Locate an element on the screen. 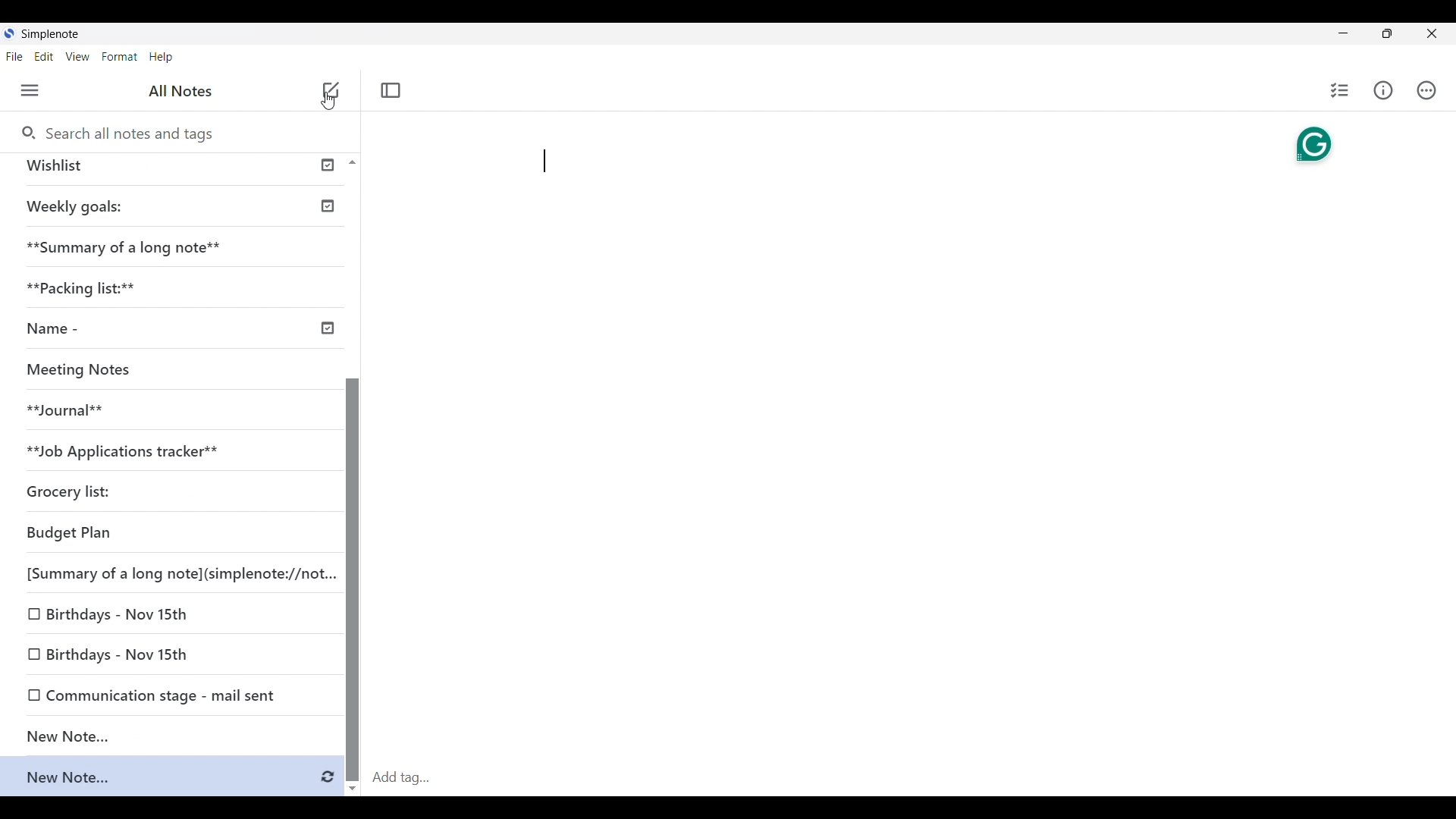 The image size is (1456, 819). birthdays - nov 15th is located at coordinates (123, 614).